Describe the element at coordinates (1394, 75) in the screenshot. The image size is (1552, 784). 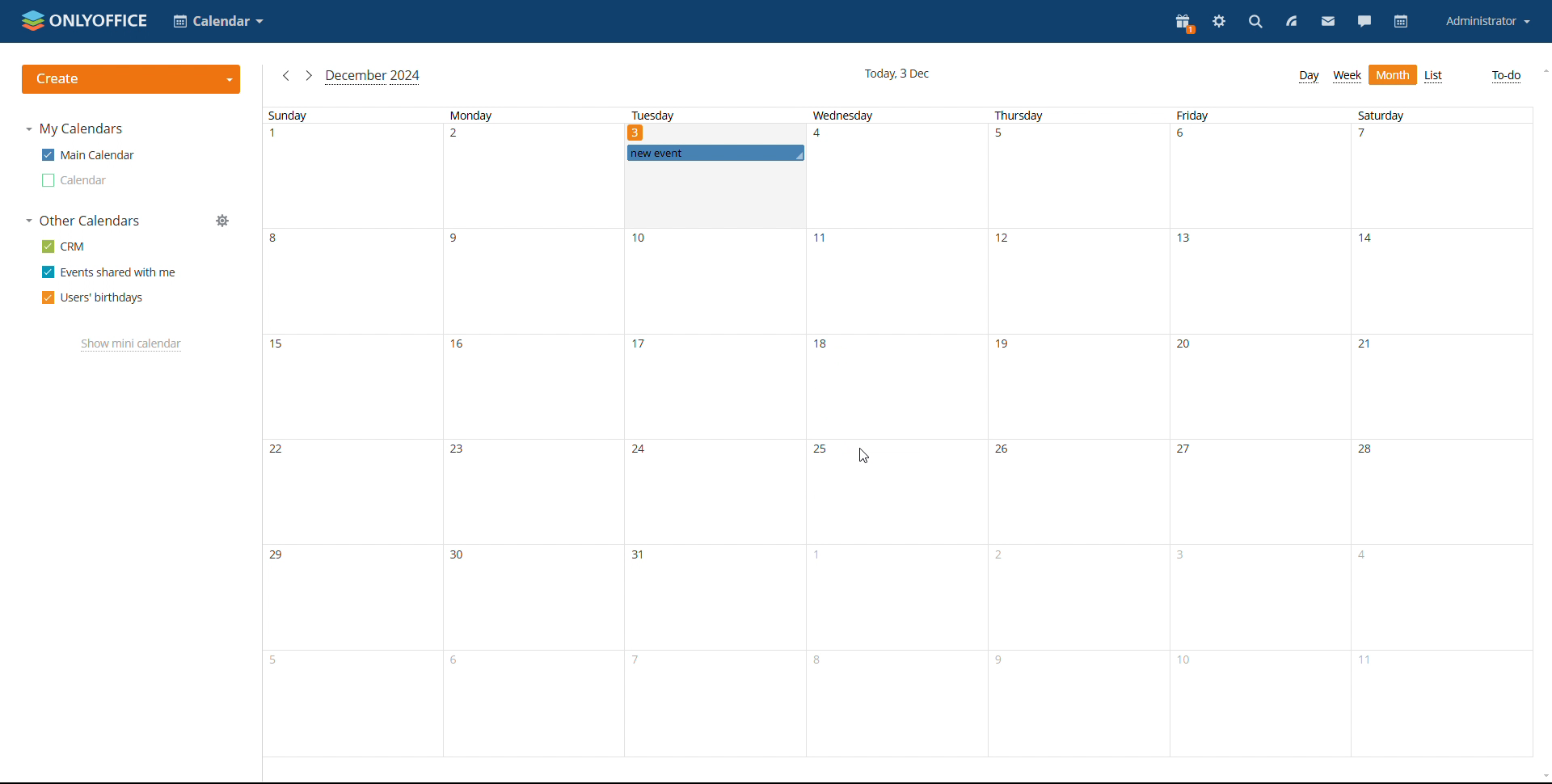
I see `month view` at that location.